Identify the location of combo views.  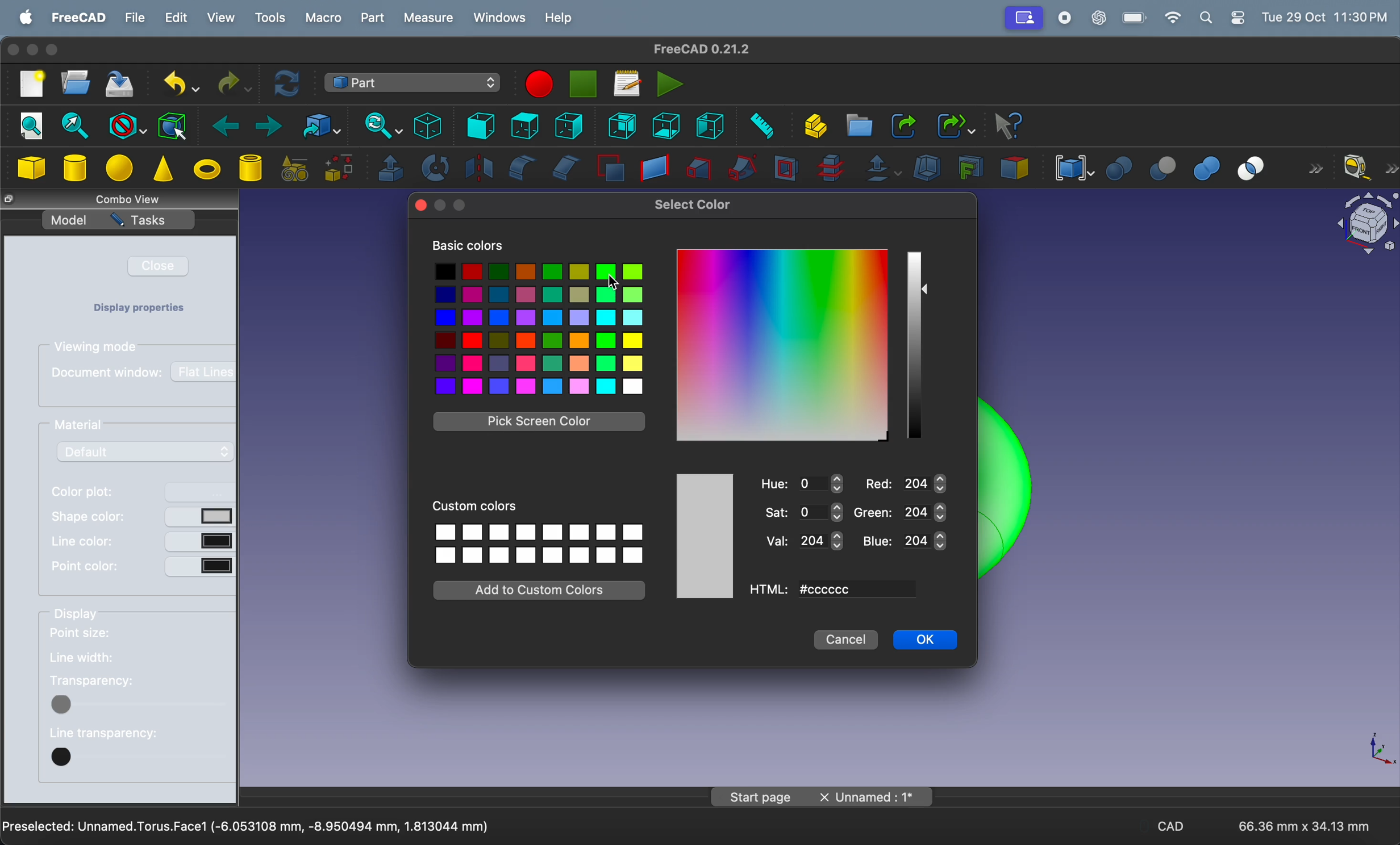
(143, 199).